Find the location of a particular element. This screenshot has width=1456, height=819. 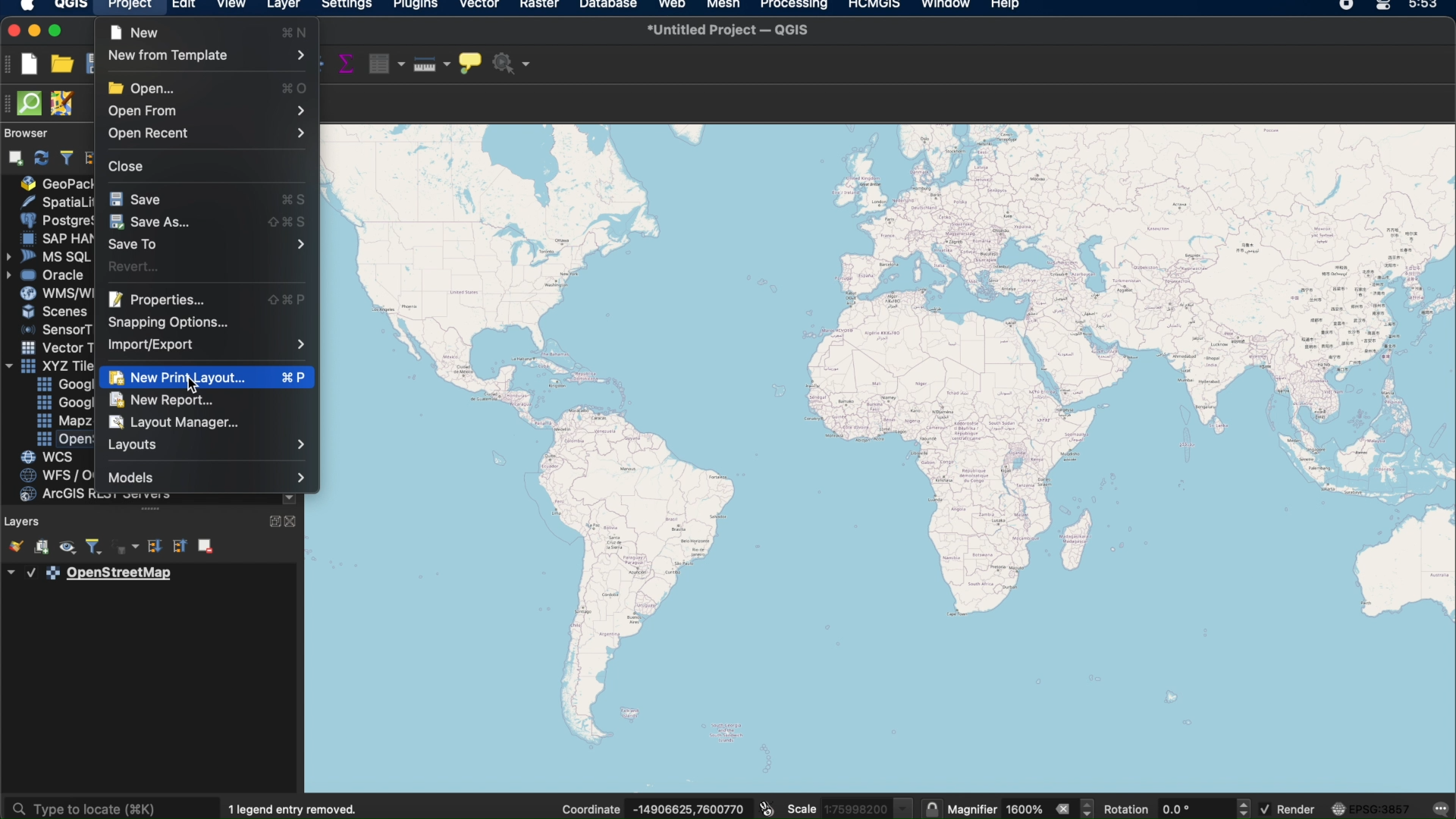

view is located at coordinates (231, 7).